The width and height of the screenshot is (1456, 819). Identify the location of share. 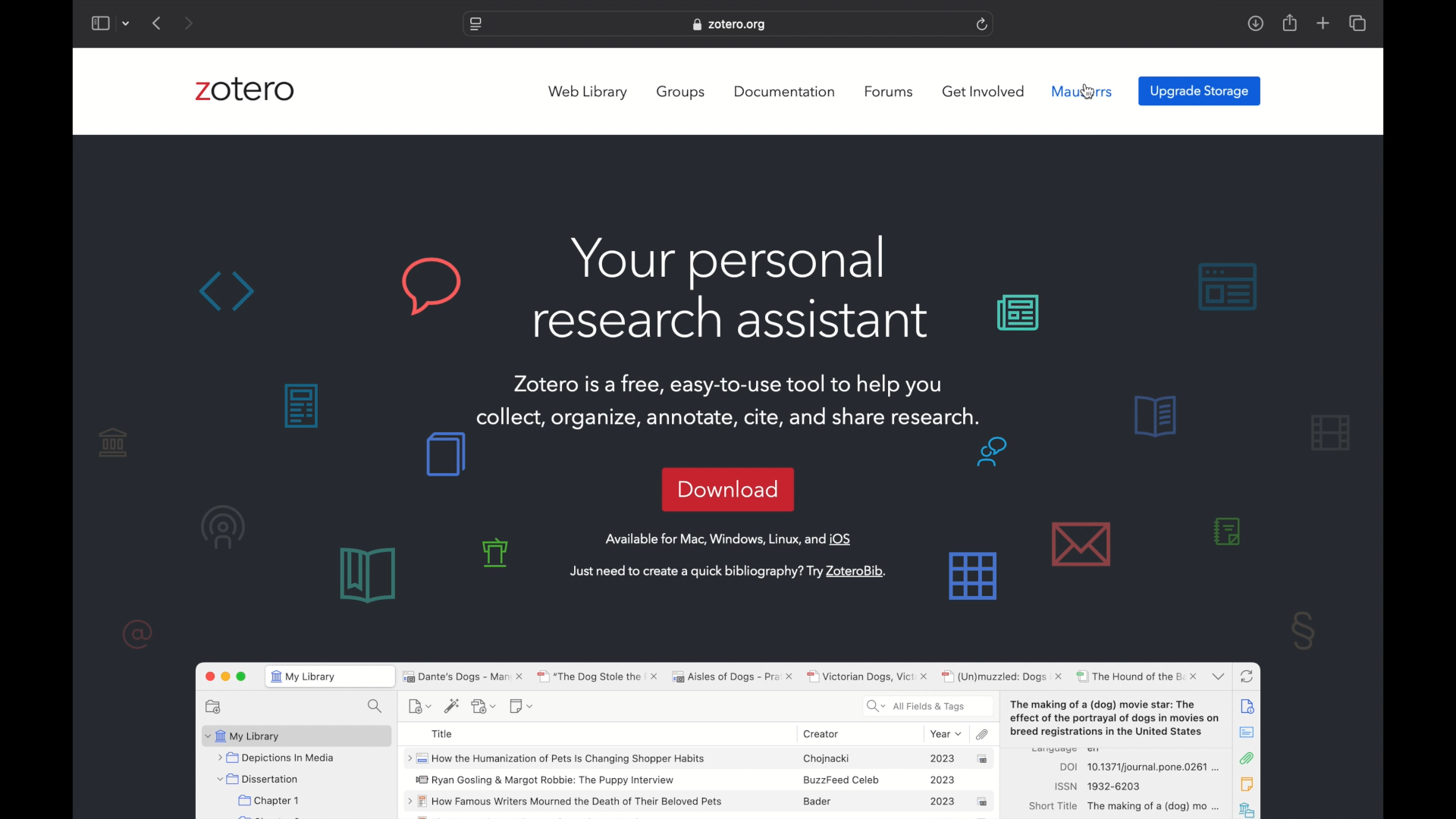
(1291, 22).